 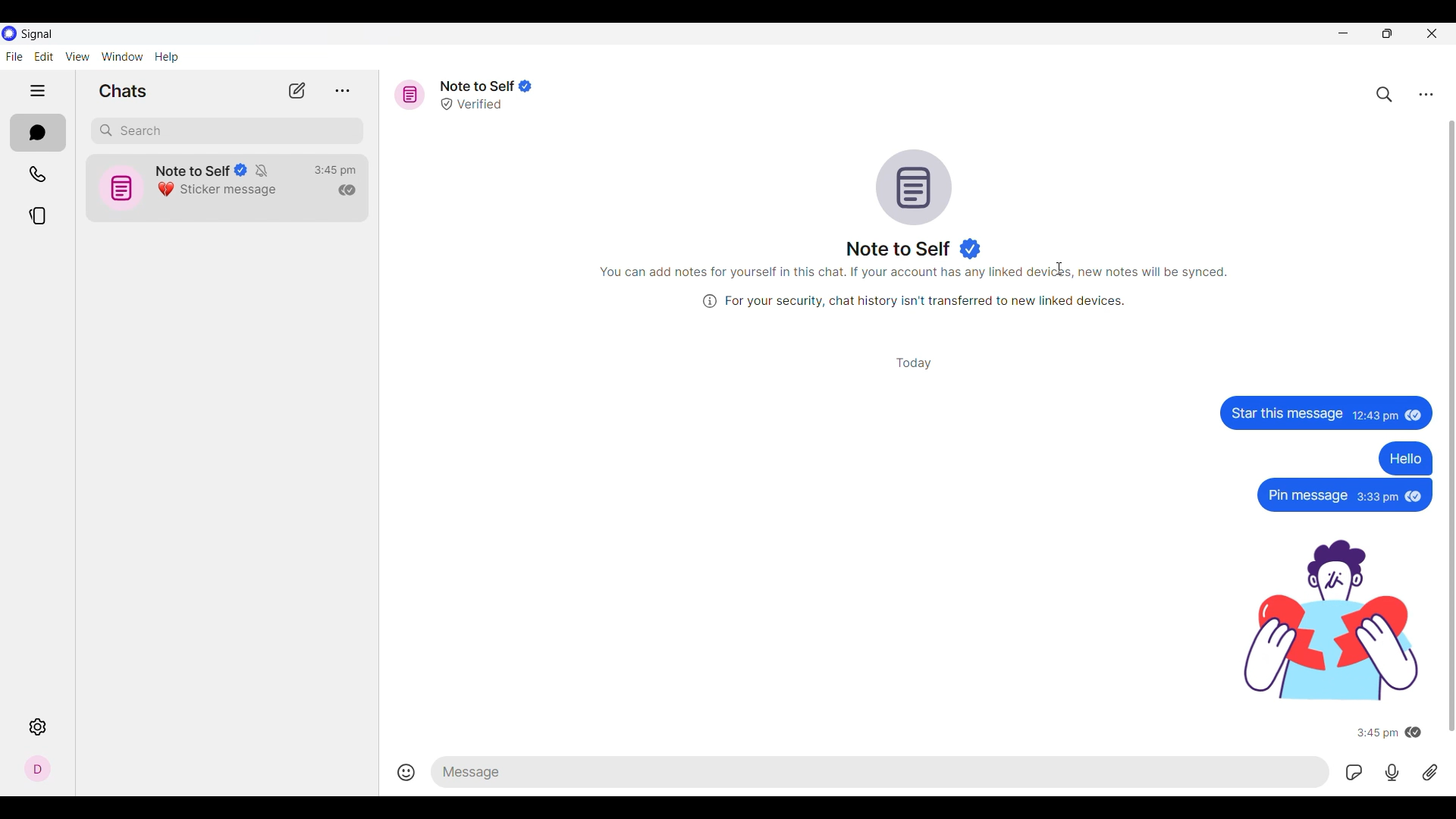 I want to click on seen, so click(x=1413, y=495).